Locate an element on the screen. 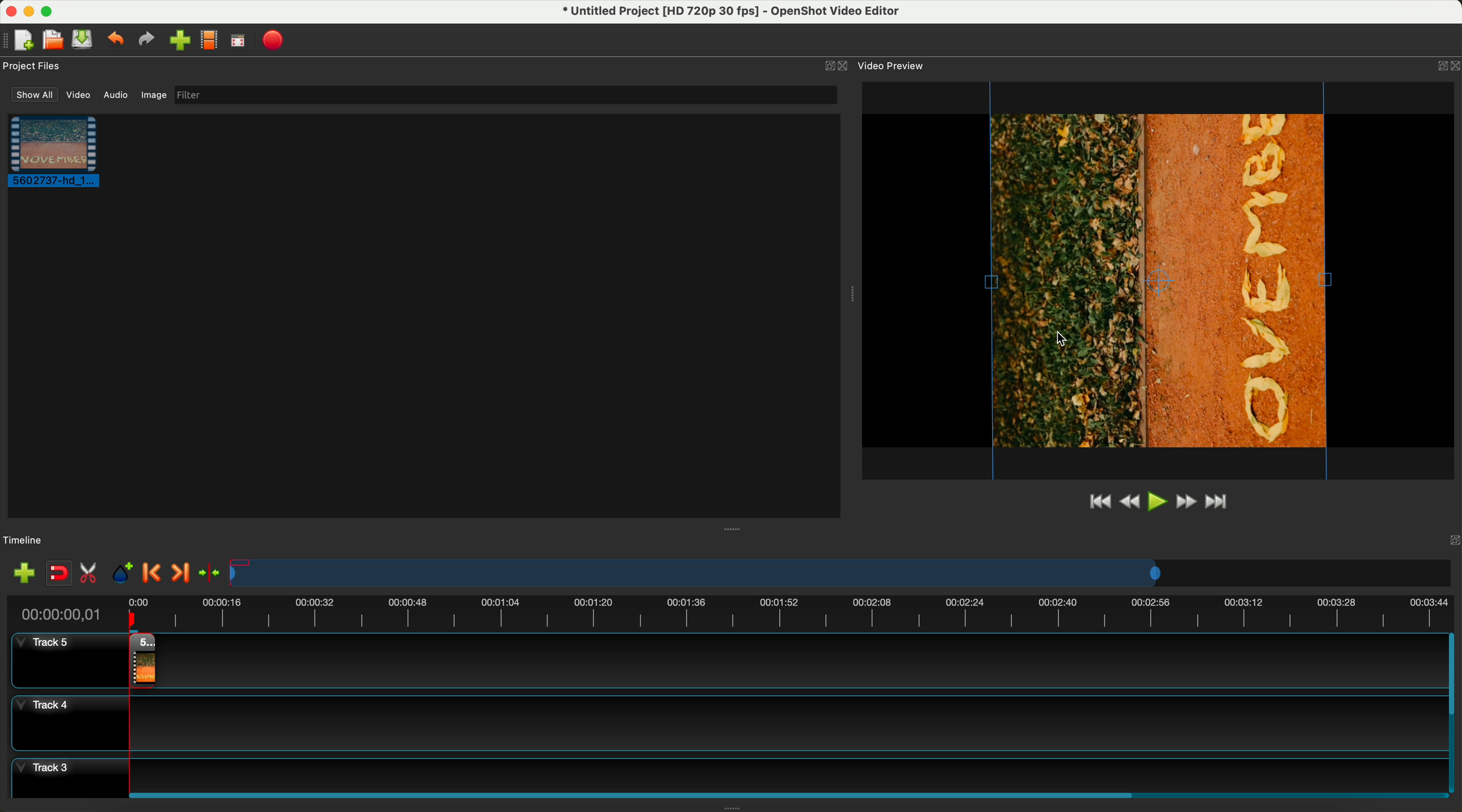 This screenshot has height=812, width=1462. rotated video is located at coordinates (1159, 280).